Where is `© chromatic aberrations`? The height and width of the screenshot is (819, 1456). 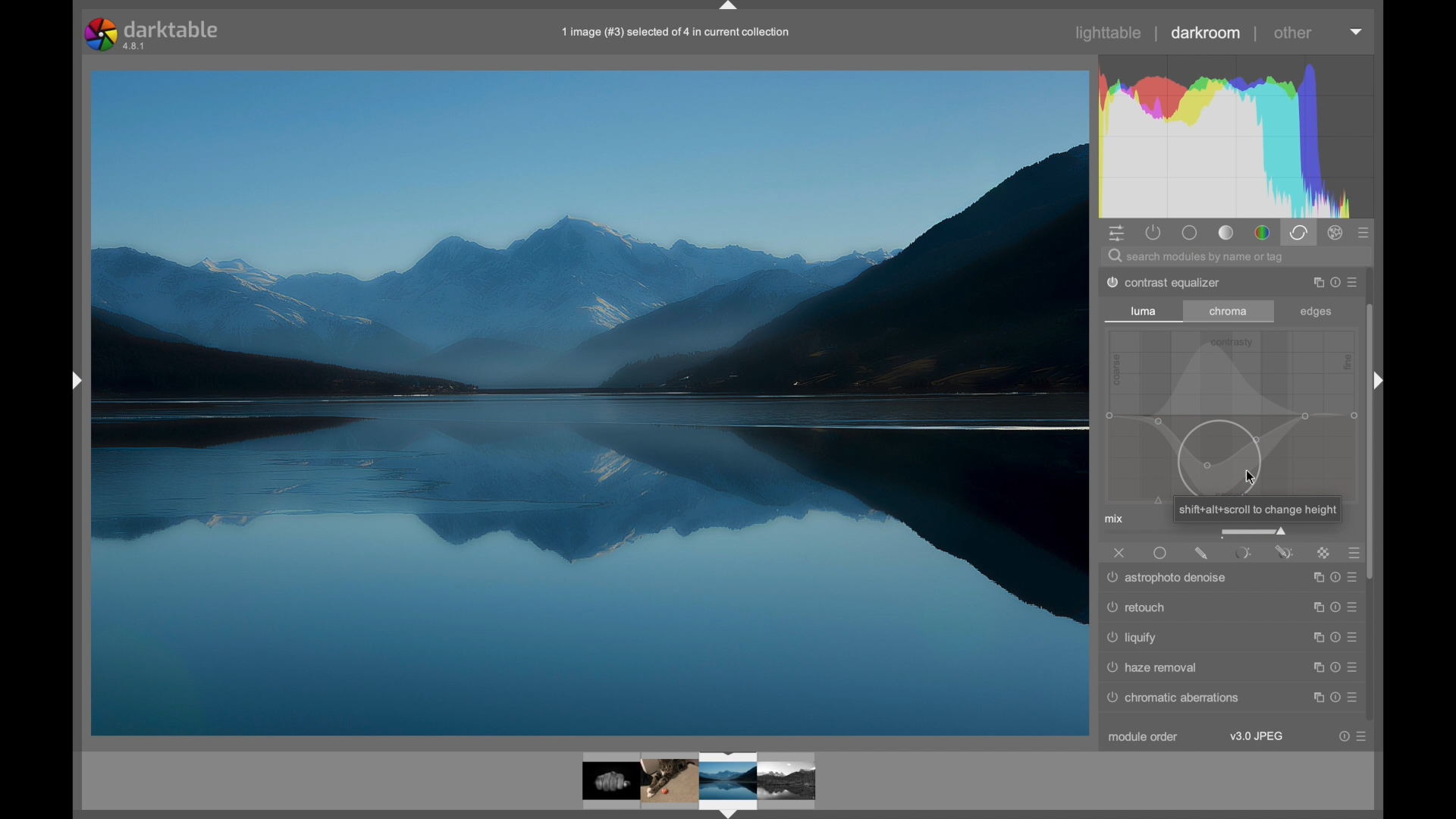 © chromatic aberrations is located at coordinates (1185, 698).